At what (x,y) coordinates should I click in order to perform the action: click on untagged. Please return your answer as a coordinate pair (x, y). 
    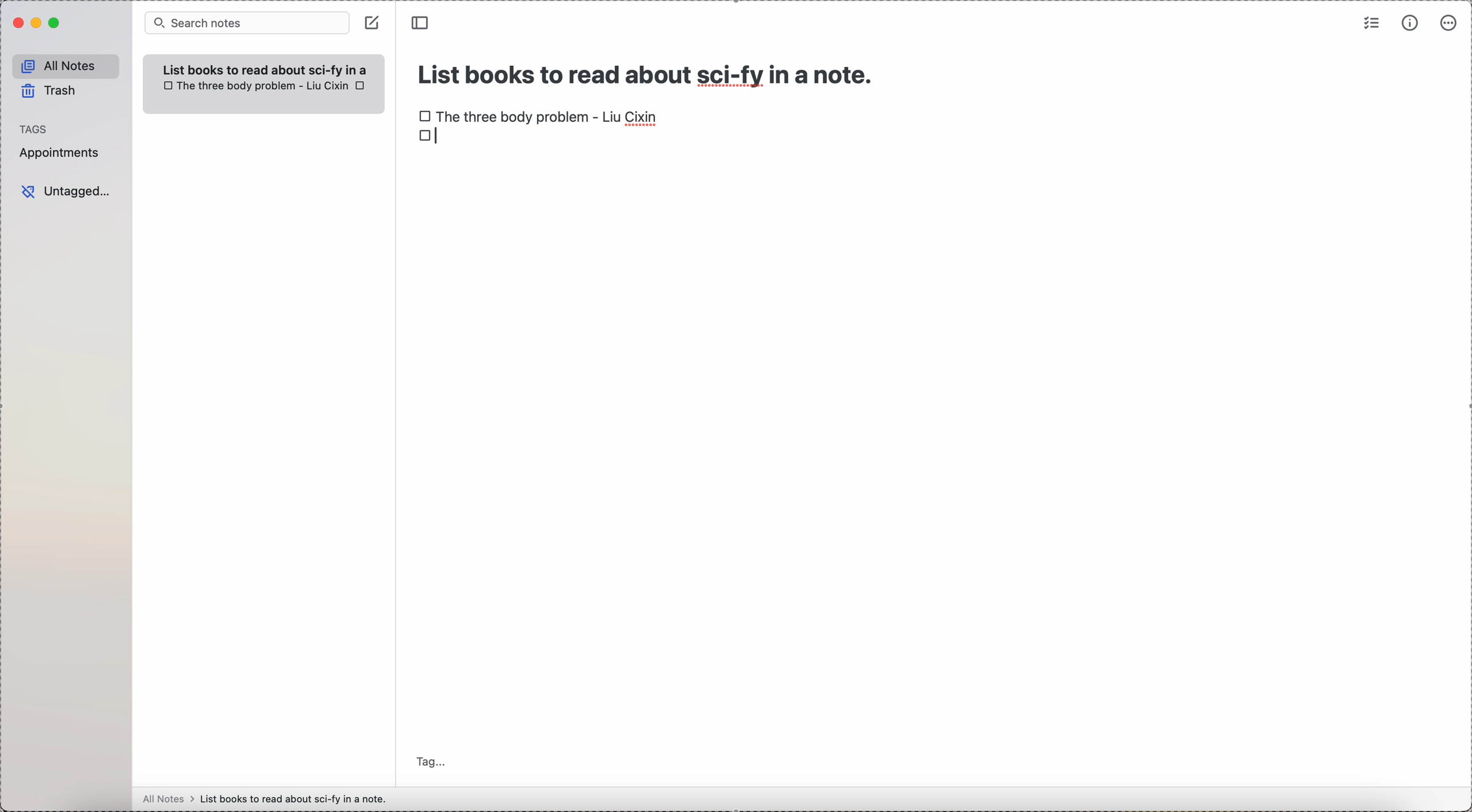
    Looking at the image, I should click on (66, 191).